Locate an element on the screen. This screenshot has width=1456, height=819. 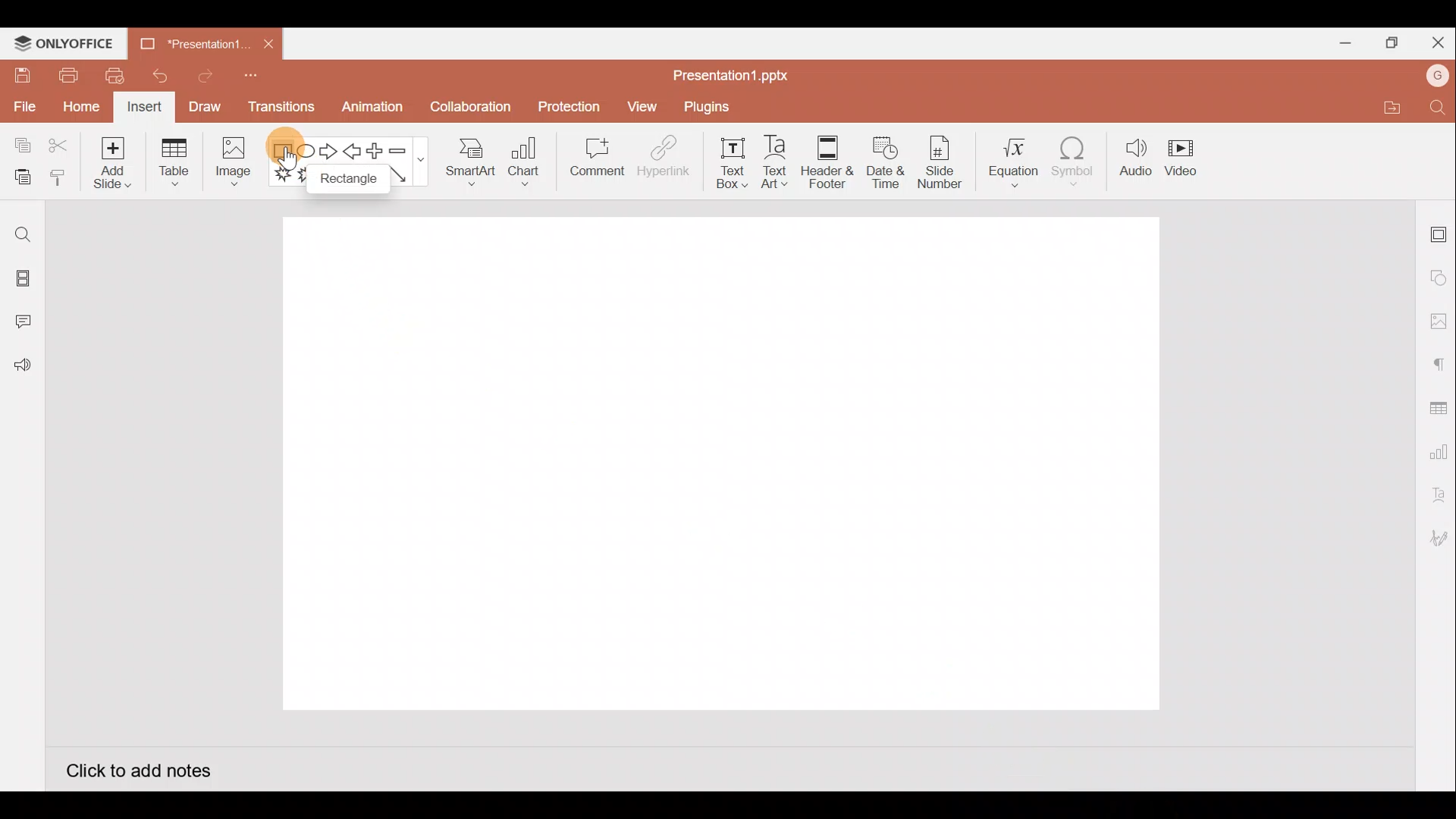
Maximise is located at coordinates (1388, 43).